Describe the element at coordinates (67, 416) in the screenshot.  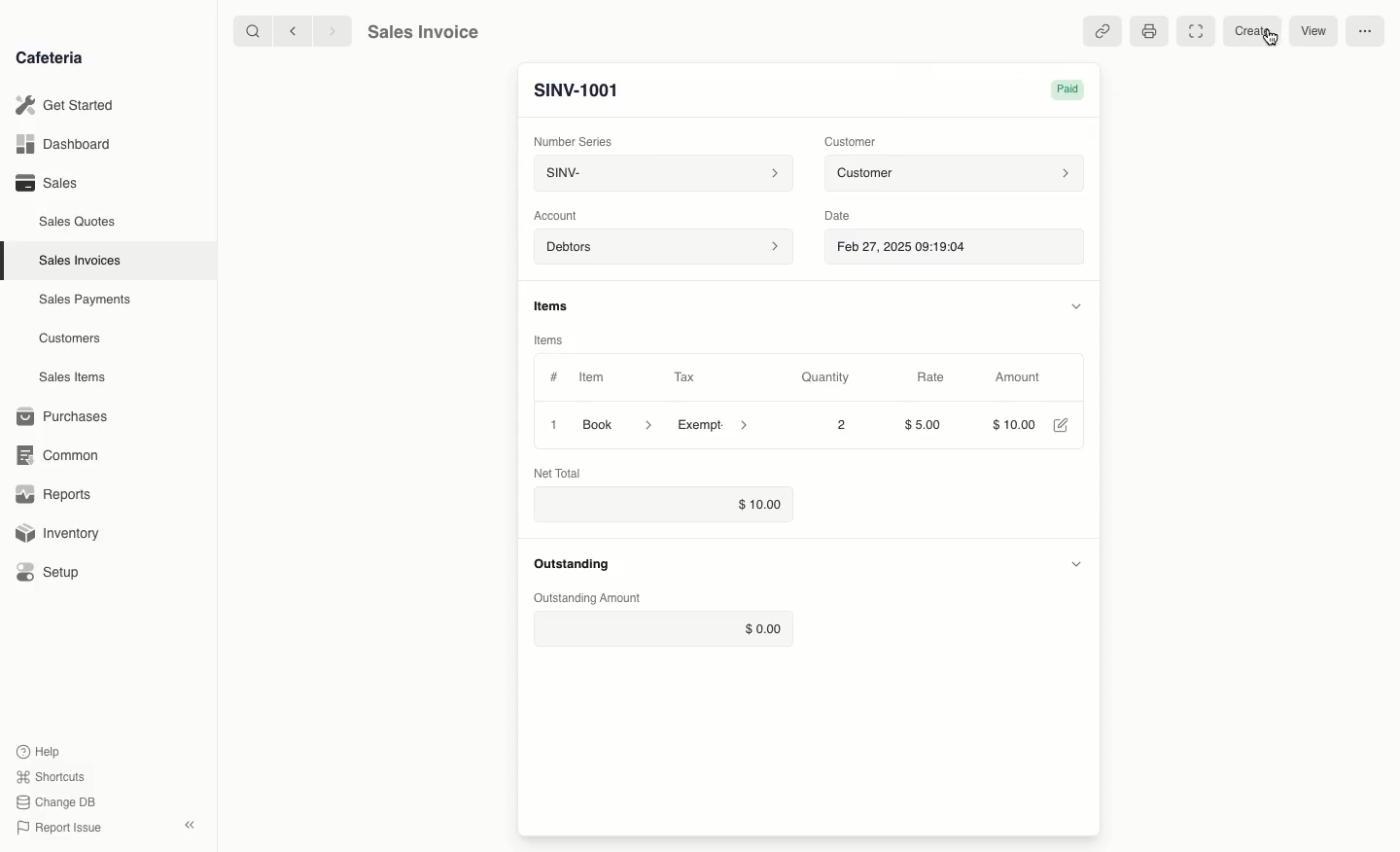
I see `Purchases` at that location.